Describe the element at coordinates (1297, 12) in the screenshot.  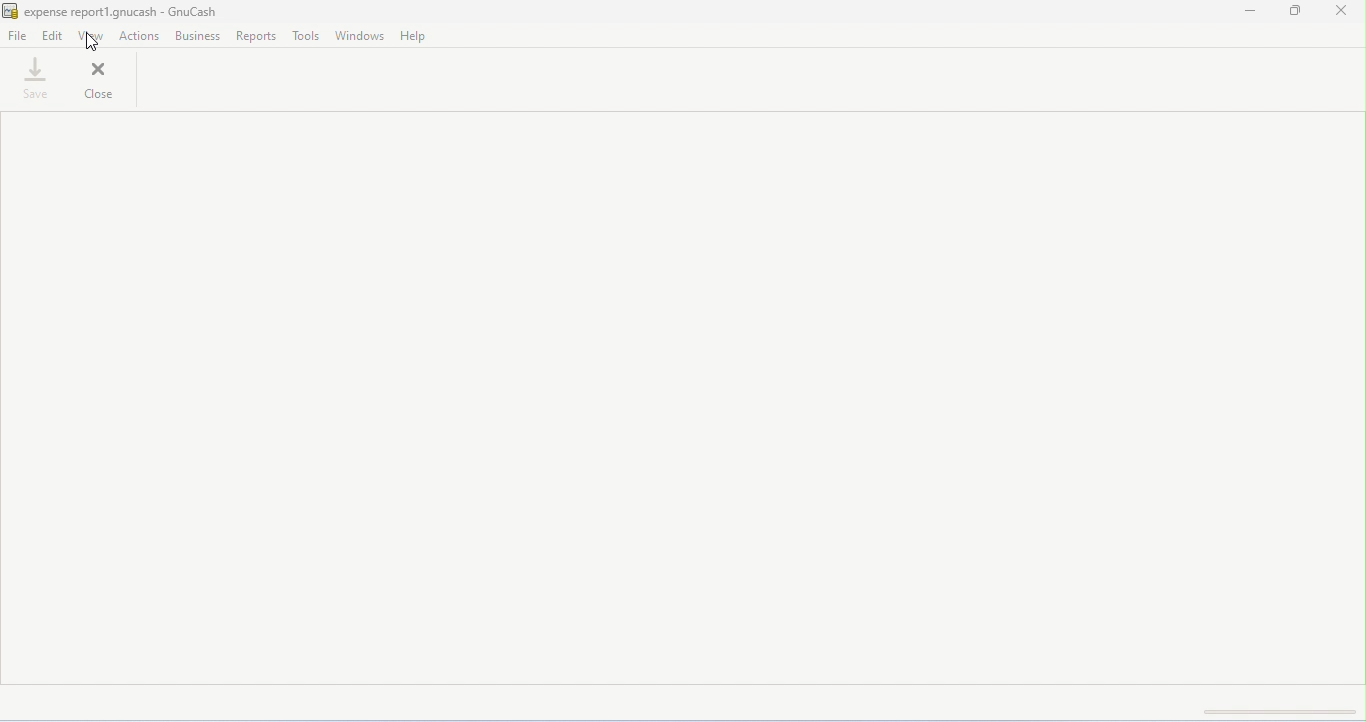
I see `minimize/maximize` at that location.